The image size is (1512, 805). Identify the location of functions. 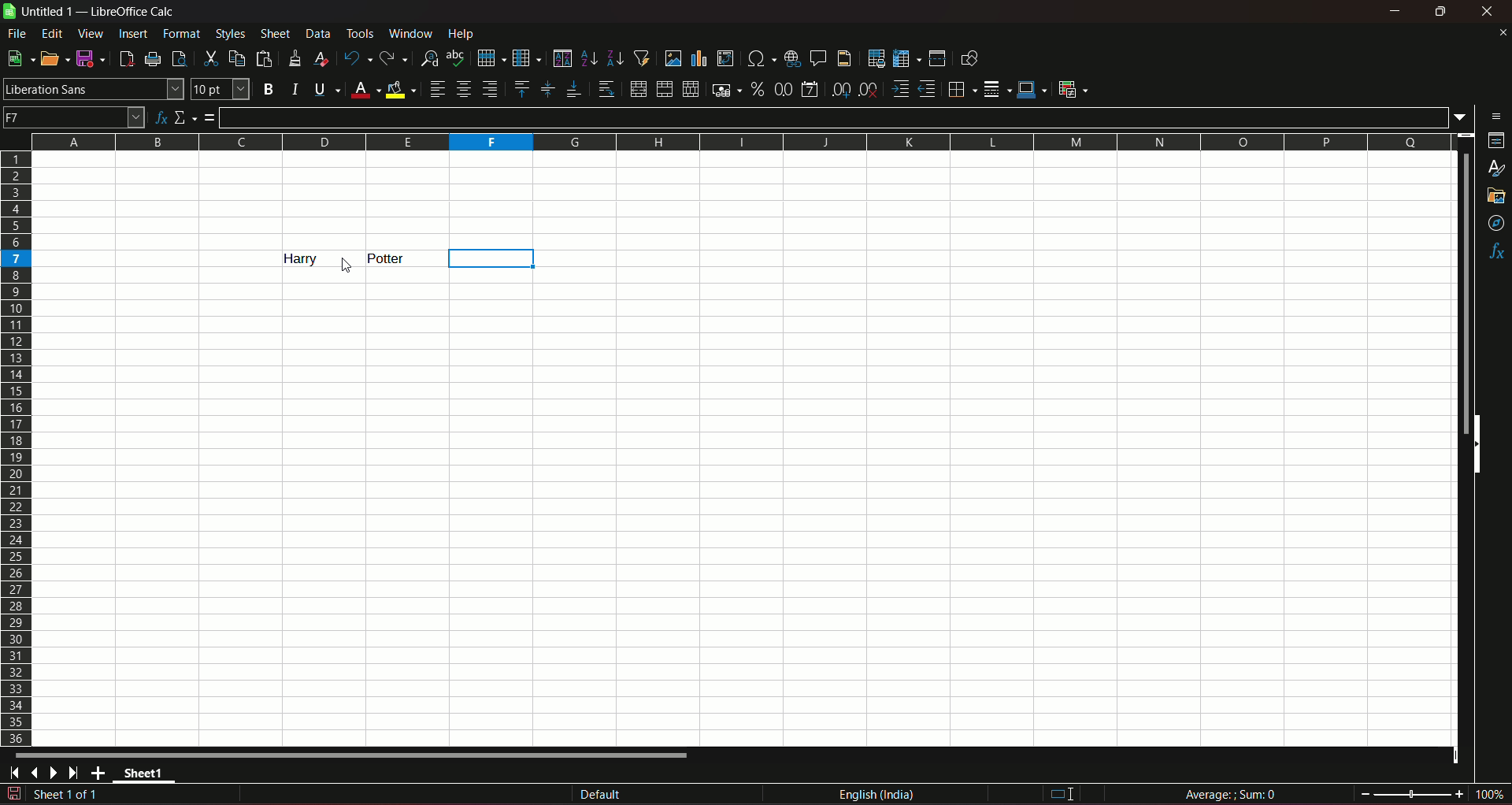
(1496, 253).